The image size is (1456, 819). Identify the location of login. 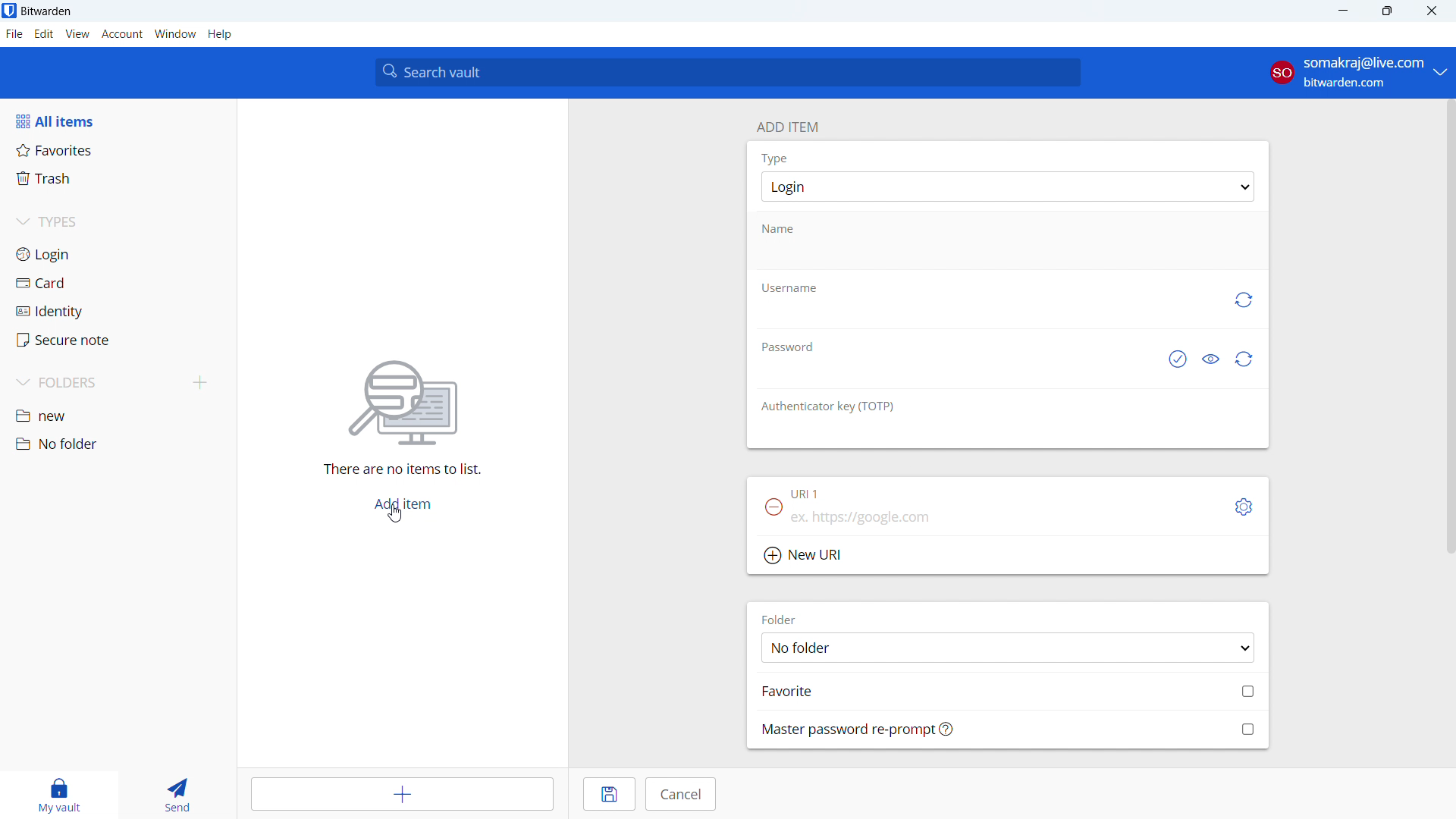
(118, 254).